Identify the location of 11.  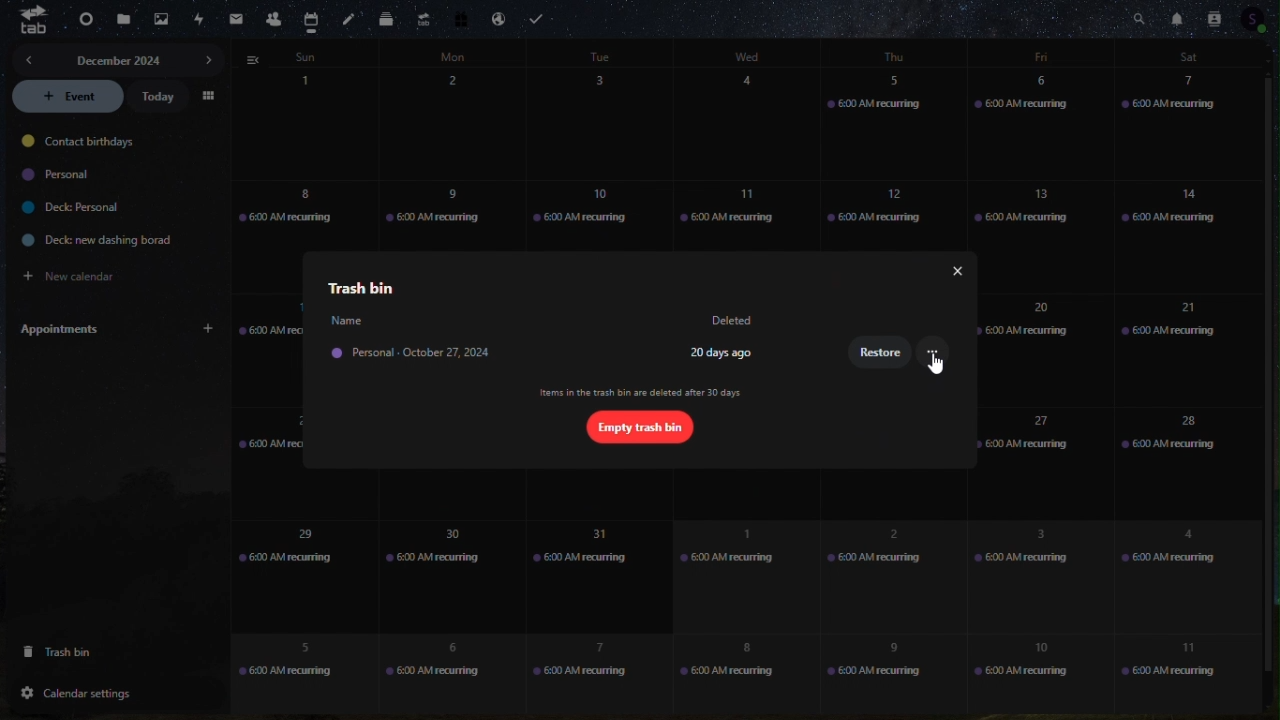
(1168, 662).